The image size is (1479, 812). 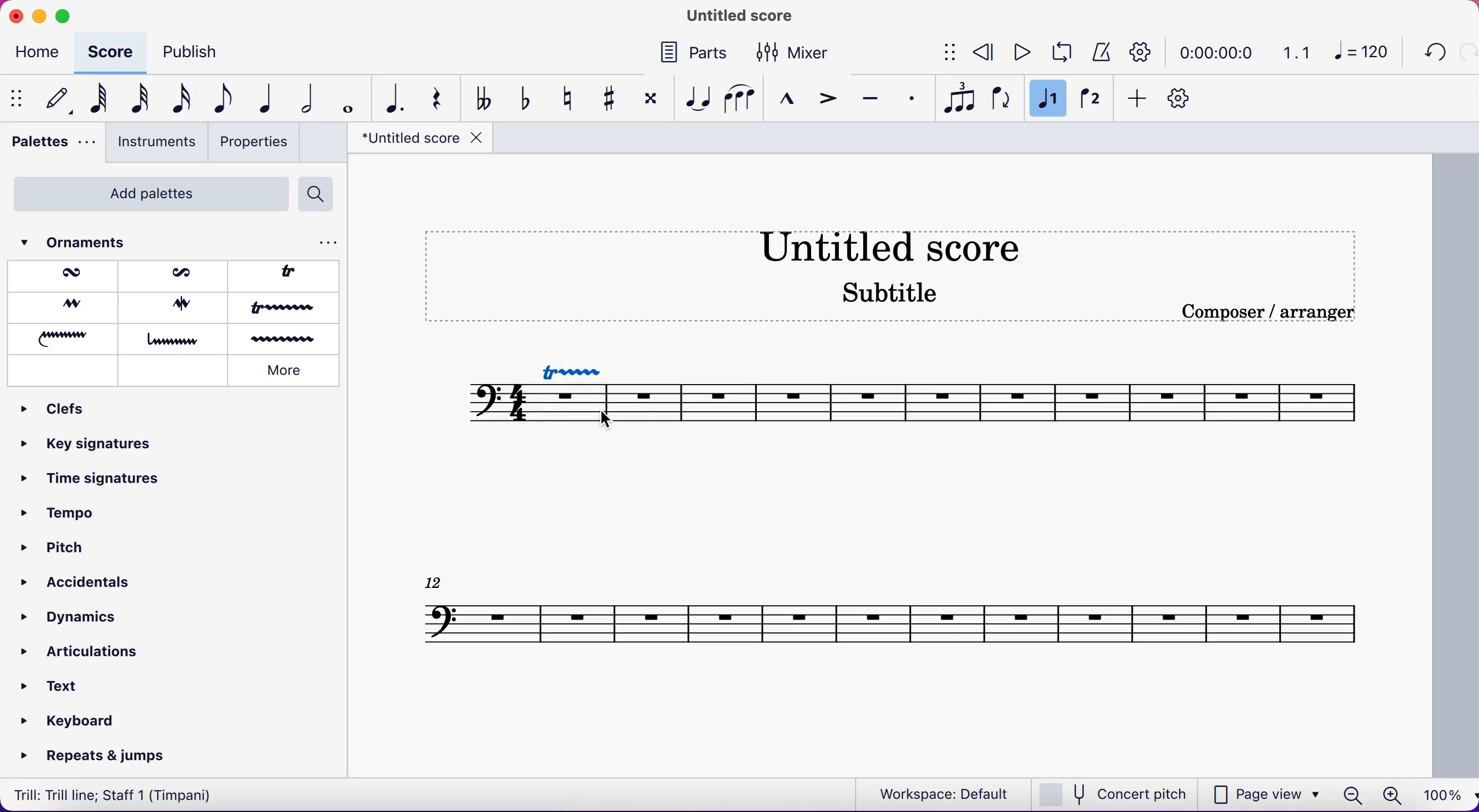 What do you see at coordinates (1365, 54) in the screenshot?
I see `120` at bounding box center [1365, 54].